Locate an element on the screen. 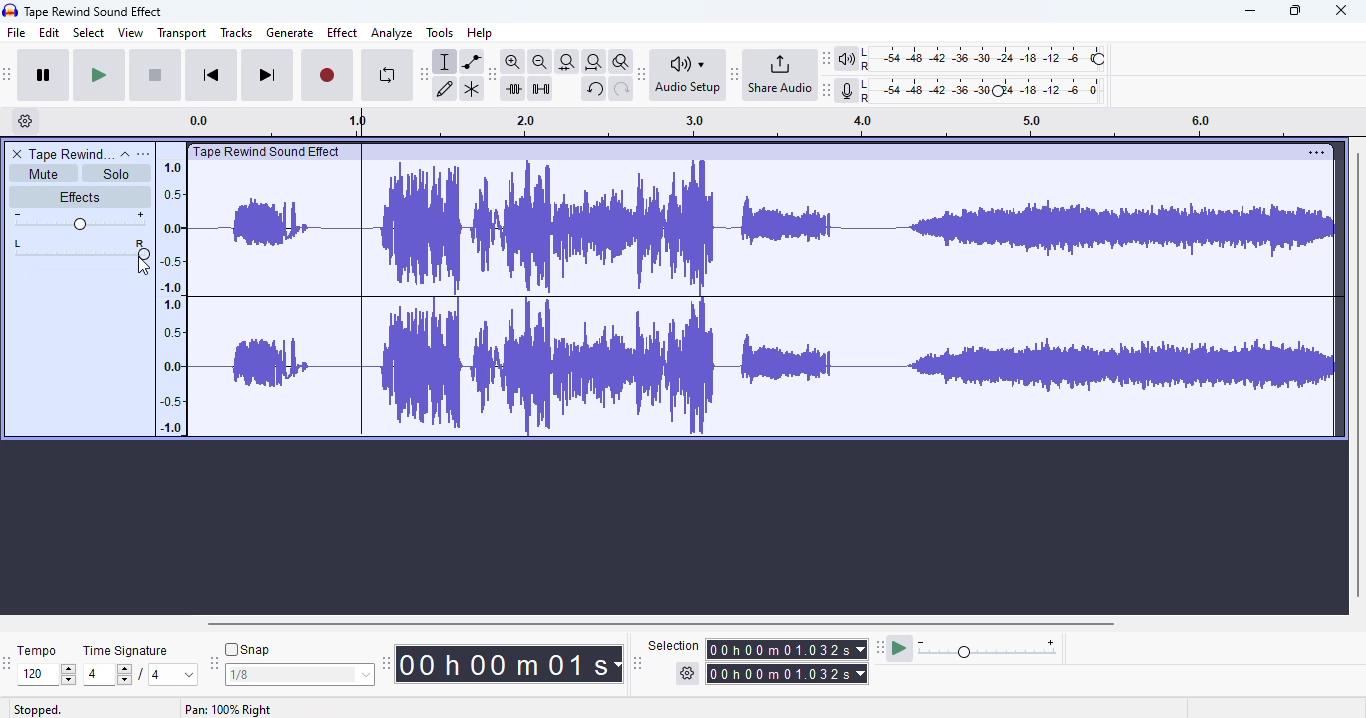  audacity snapping toolbar is located at coordinates (213, 662).